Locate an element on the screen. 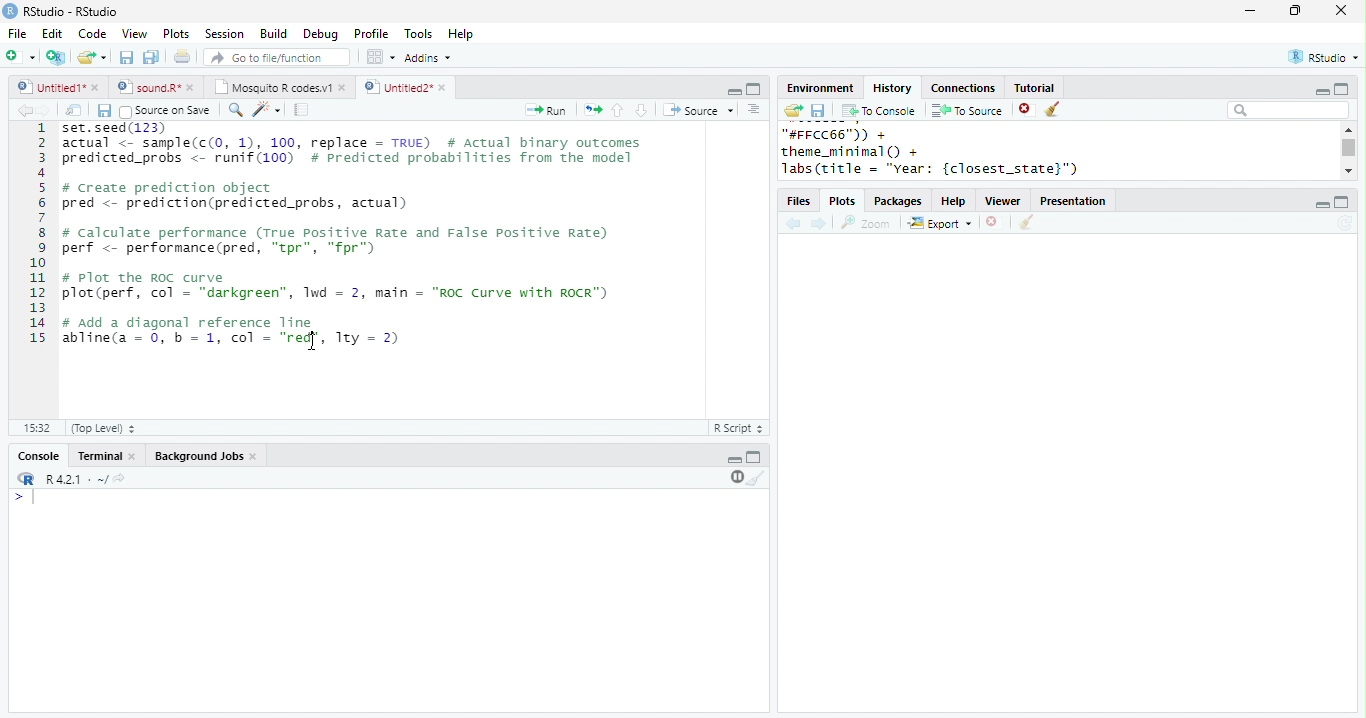 The width and height of the screenshot is (1366, 718). scroll bar is located at coordinates (1350, 148).